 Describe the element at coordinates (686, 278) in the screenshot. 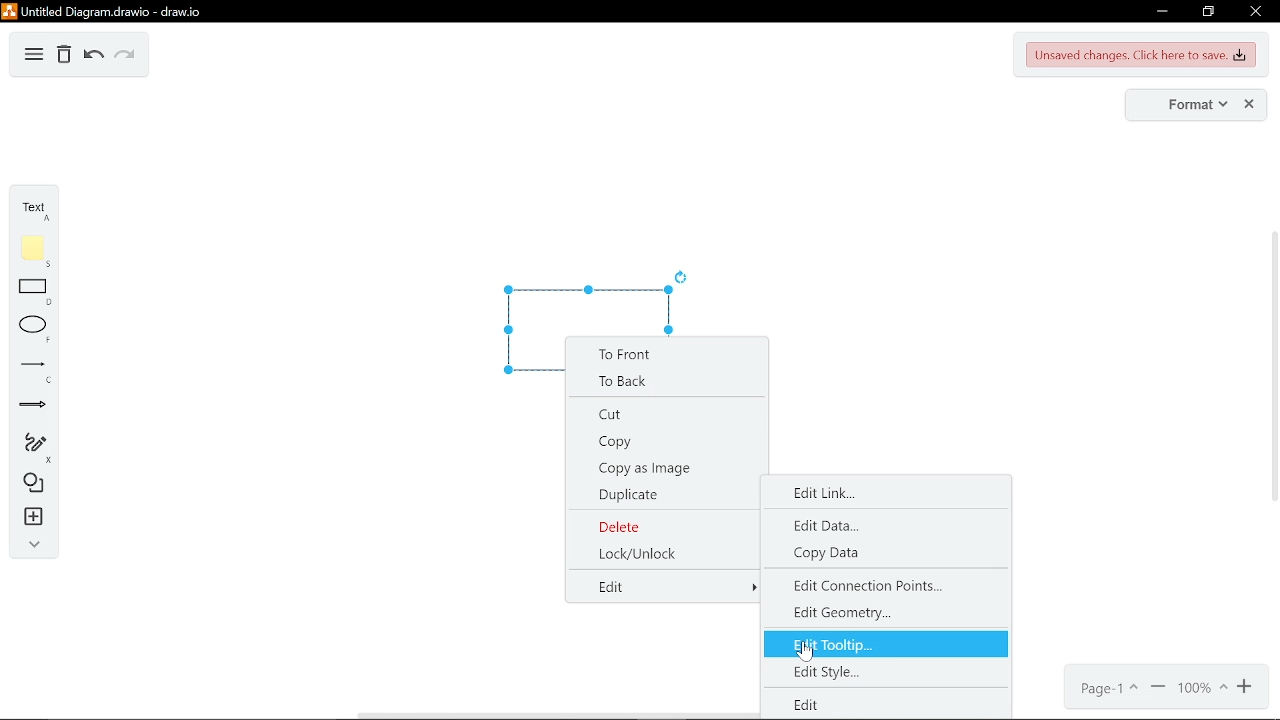

I see `rotate current diagram` at that location.